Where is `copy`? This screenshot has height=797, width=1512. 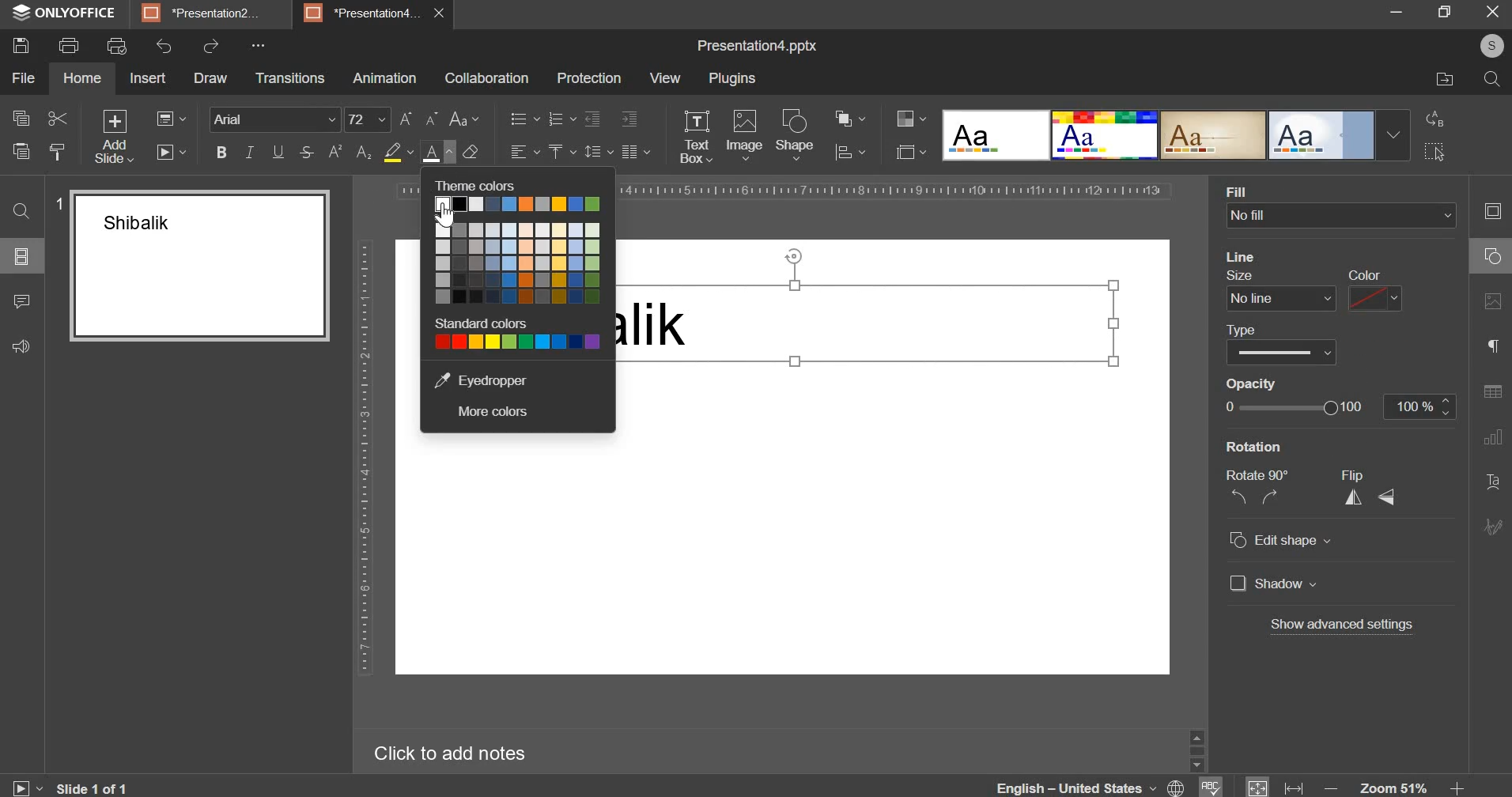 copy is located at coordinates (21, 121).